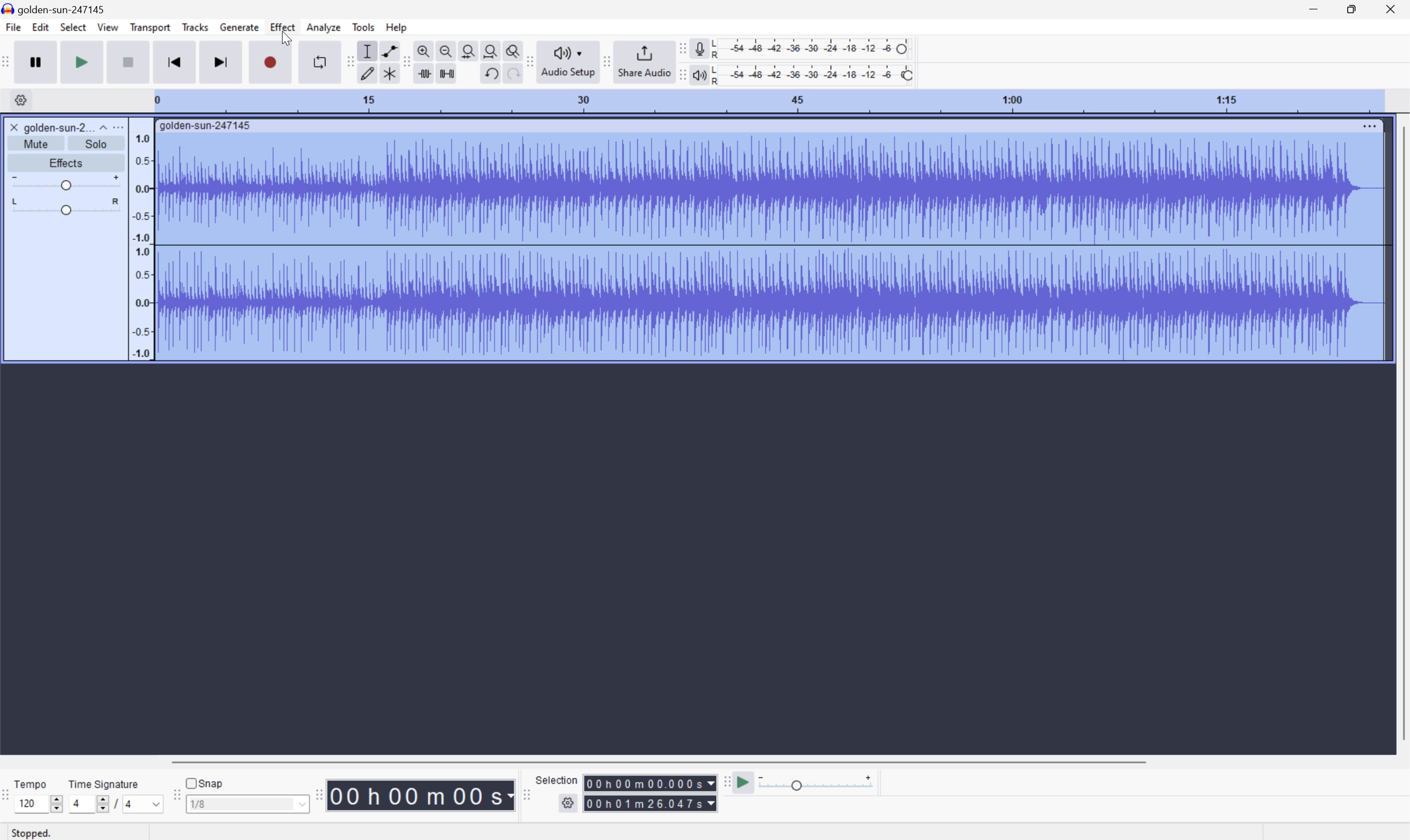 The width and height of the screenshot is (1410, 840). Describe the element at coordinates (569, 62) in the screenshot. I see `Audio setup` at that location.